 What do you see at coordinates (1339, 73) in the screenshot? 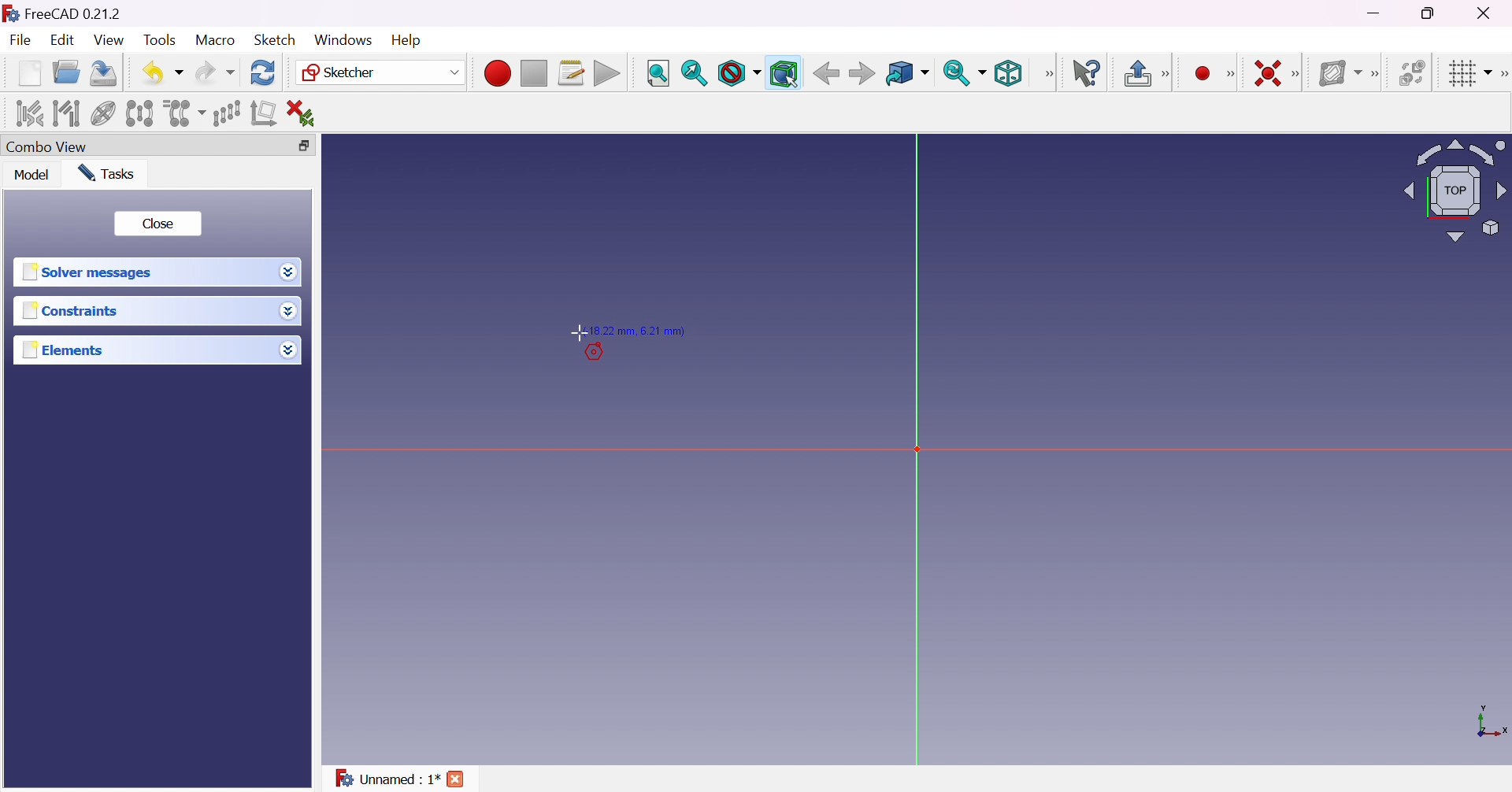
I see `Show/hide B-spline information layer` at bounding box center [1339, 73].